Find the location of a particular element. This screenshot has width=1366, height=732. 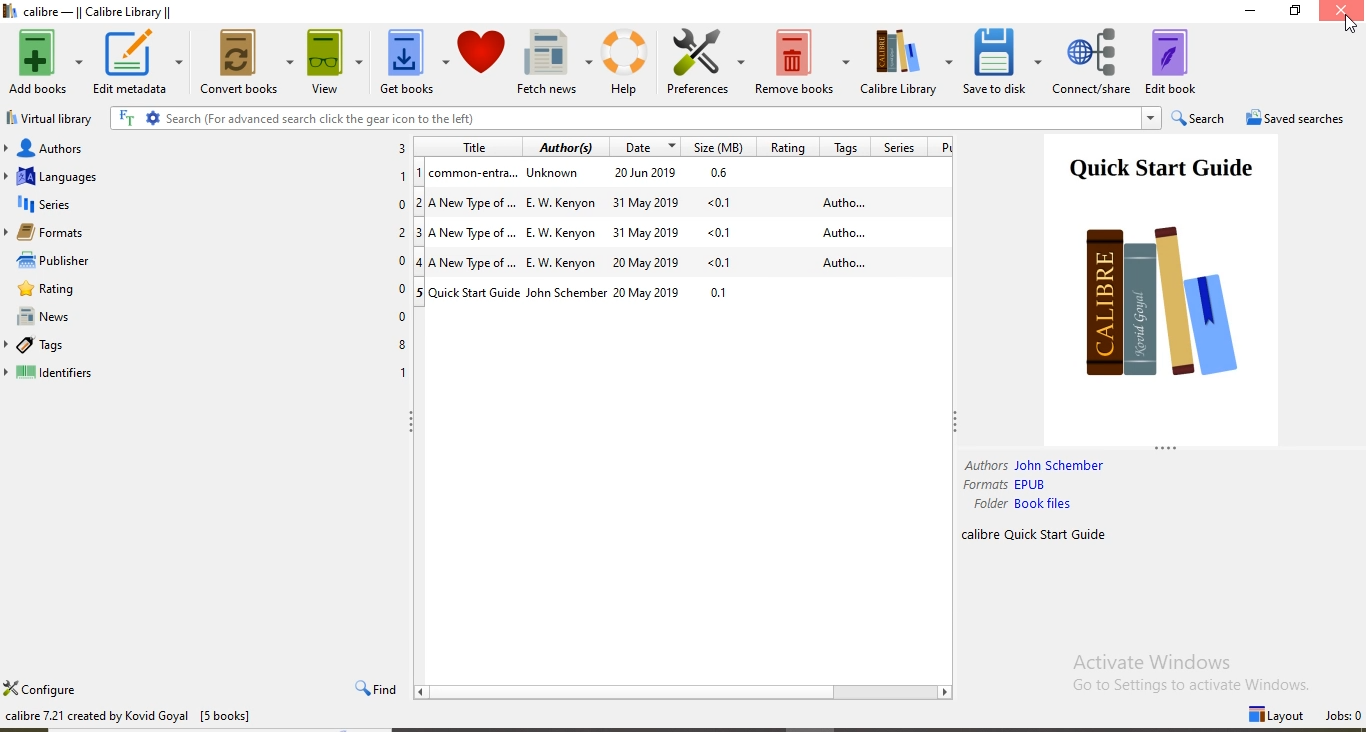

5 is located at coordinates (420, 291).